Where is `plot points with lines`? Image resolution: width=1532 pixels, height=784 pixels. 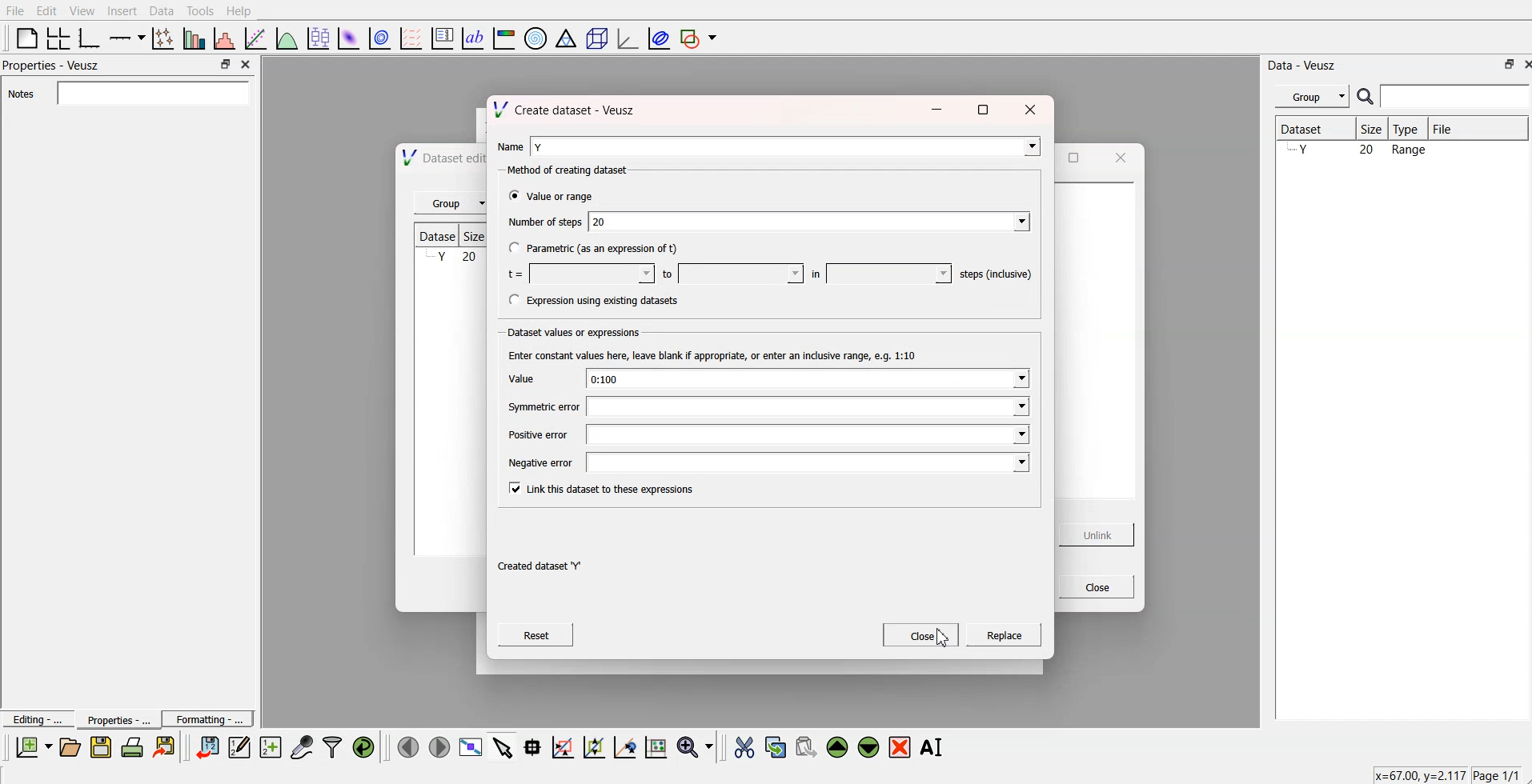 plot points with lines is located at coordinates (164, 38).